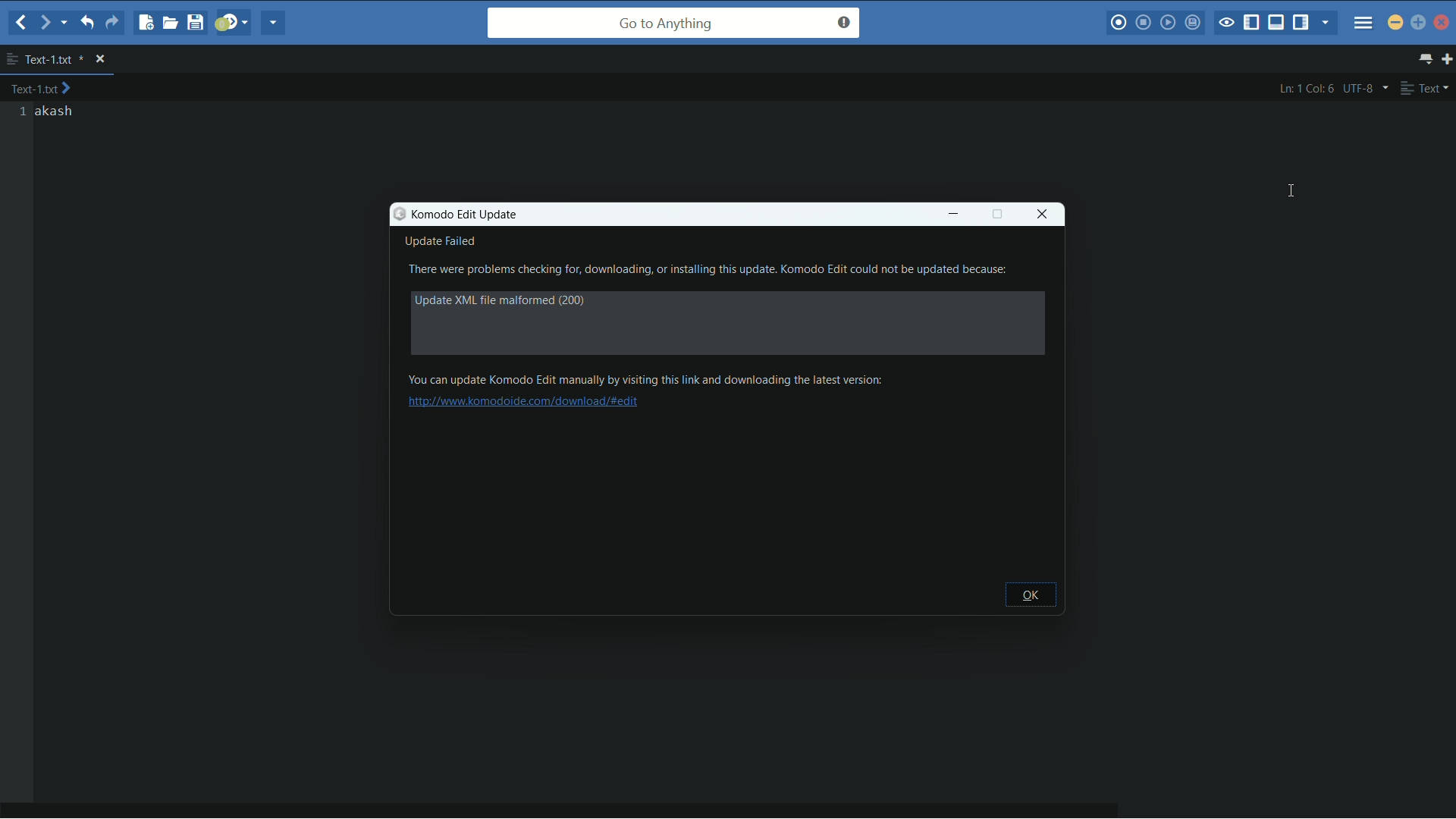  I want to click on minimize, so click(1395, 23).